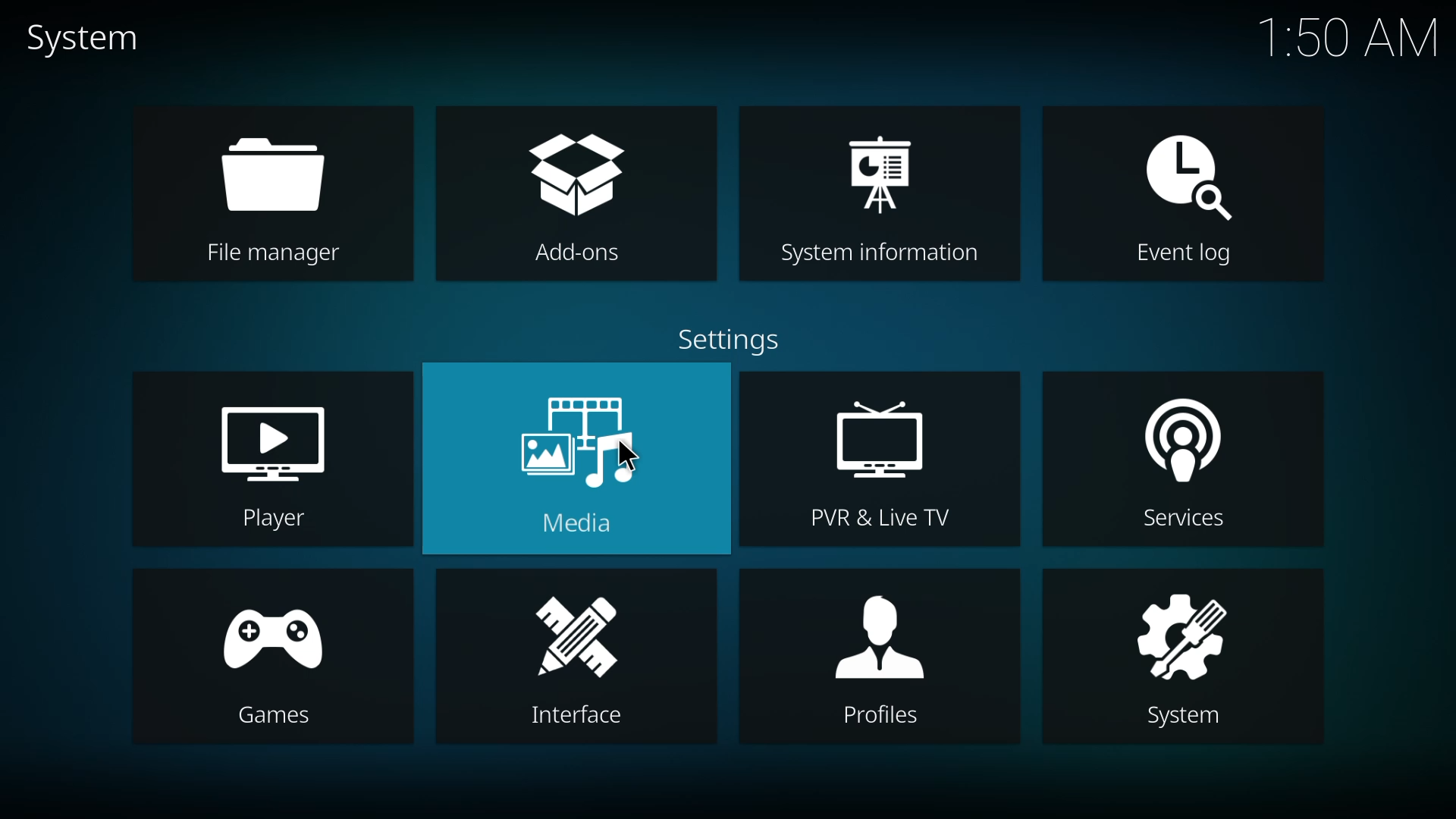  I want to click on system information, so click(883, 196).